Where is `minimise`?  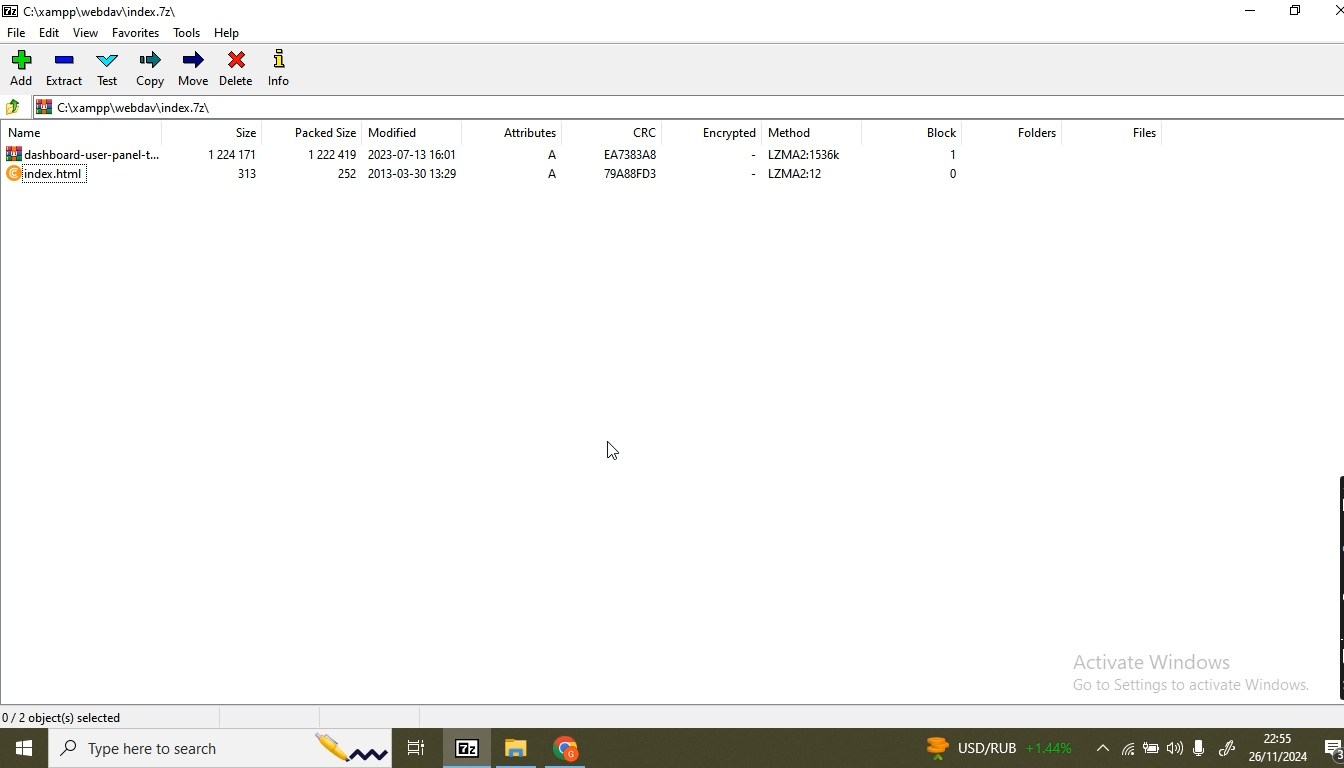
minimise is located at coordinates (1249, 13).